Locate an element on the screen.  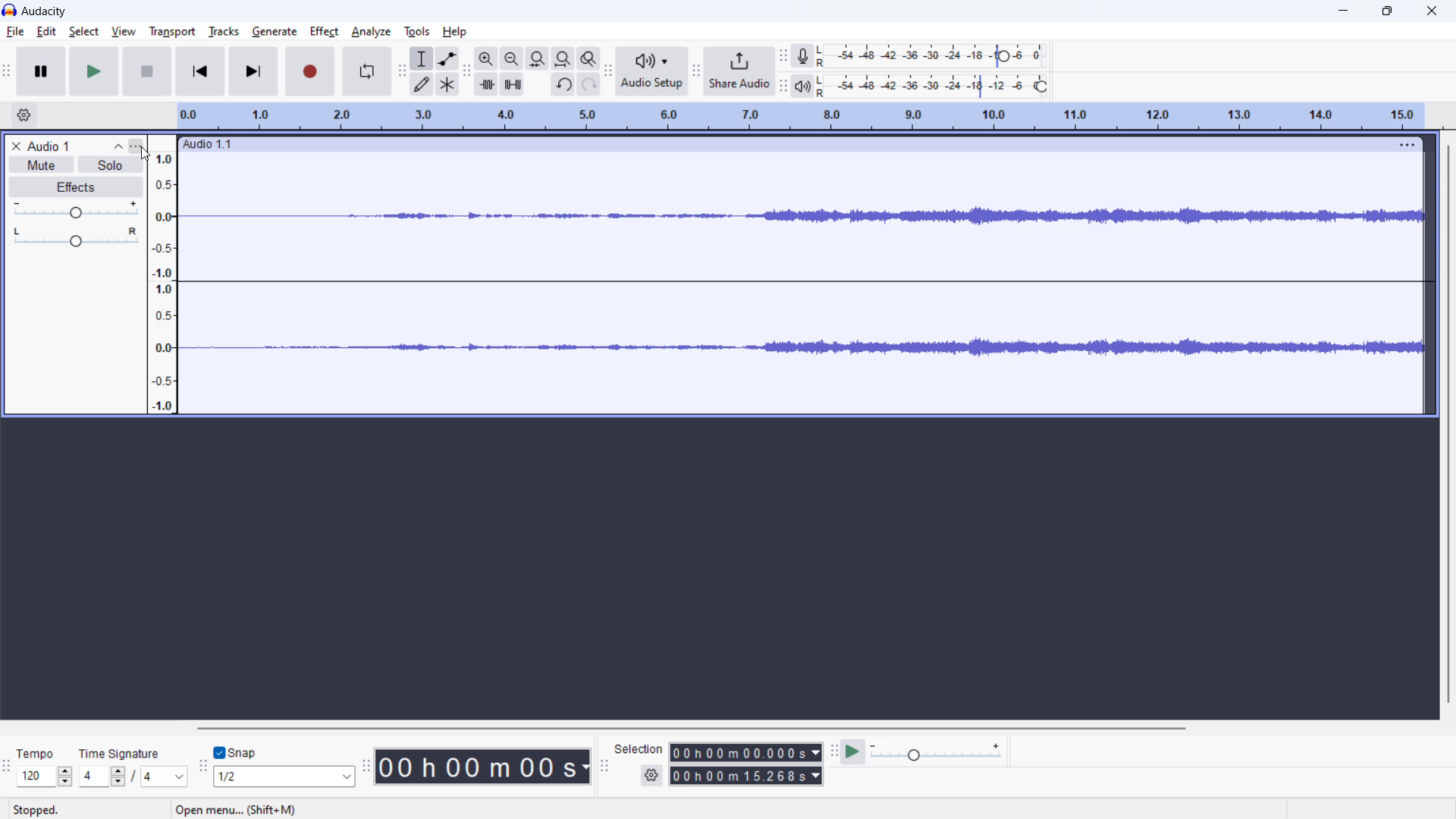
skip to last is located at coordinates (254, 71).